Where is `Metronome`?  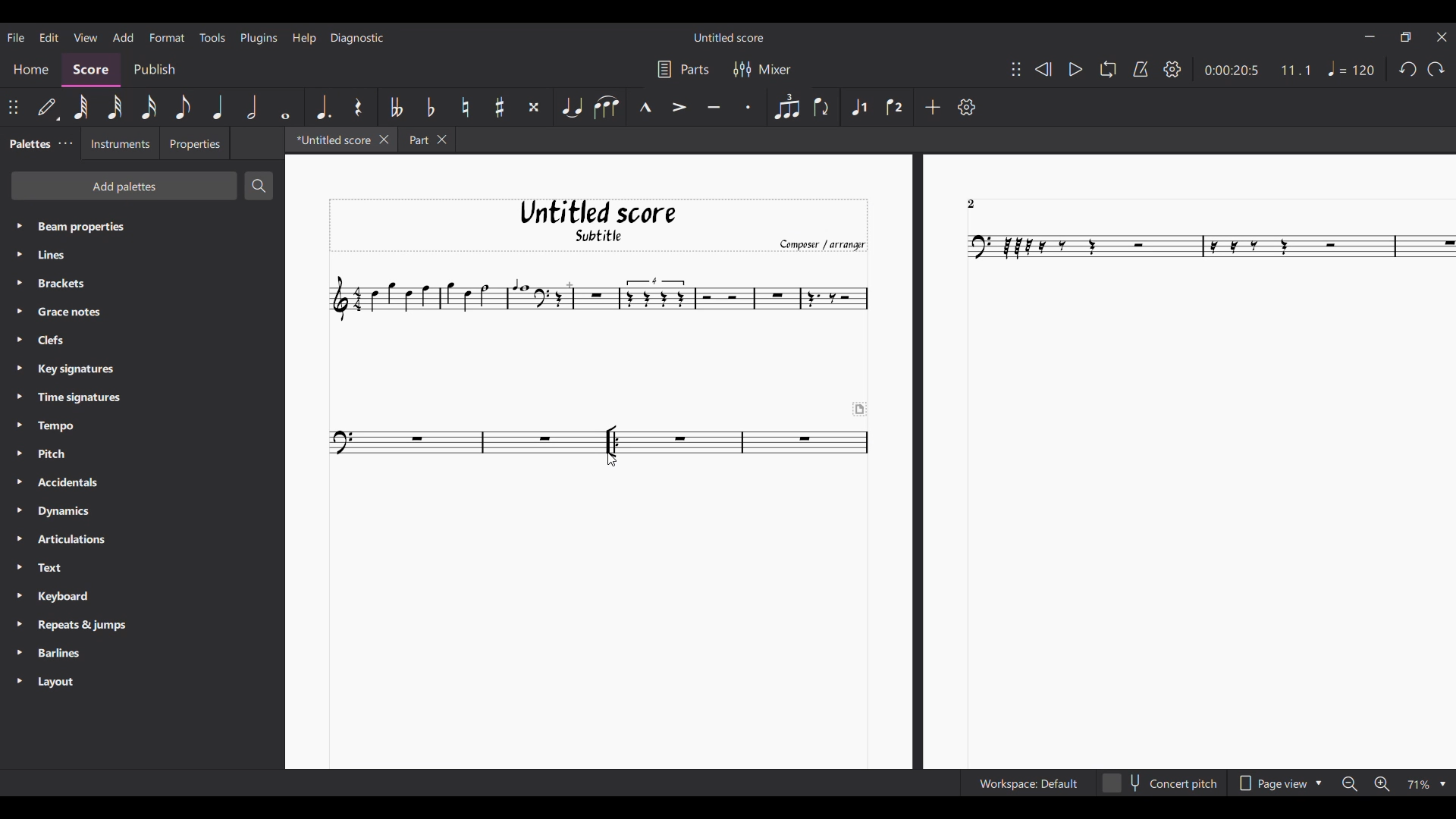 Metronome is located at coordinates (1141, 69).